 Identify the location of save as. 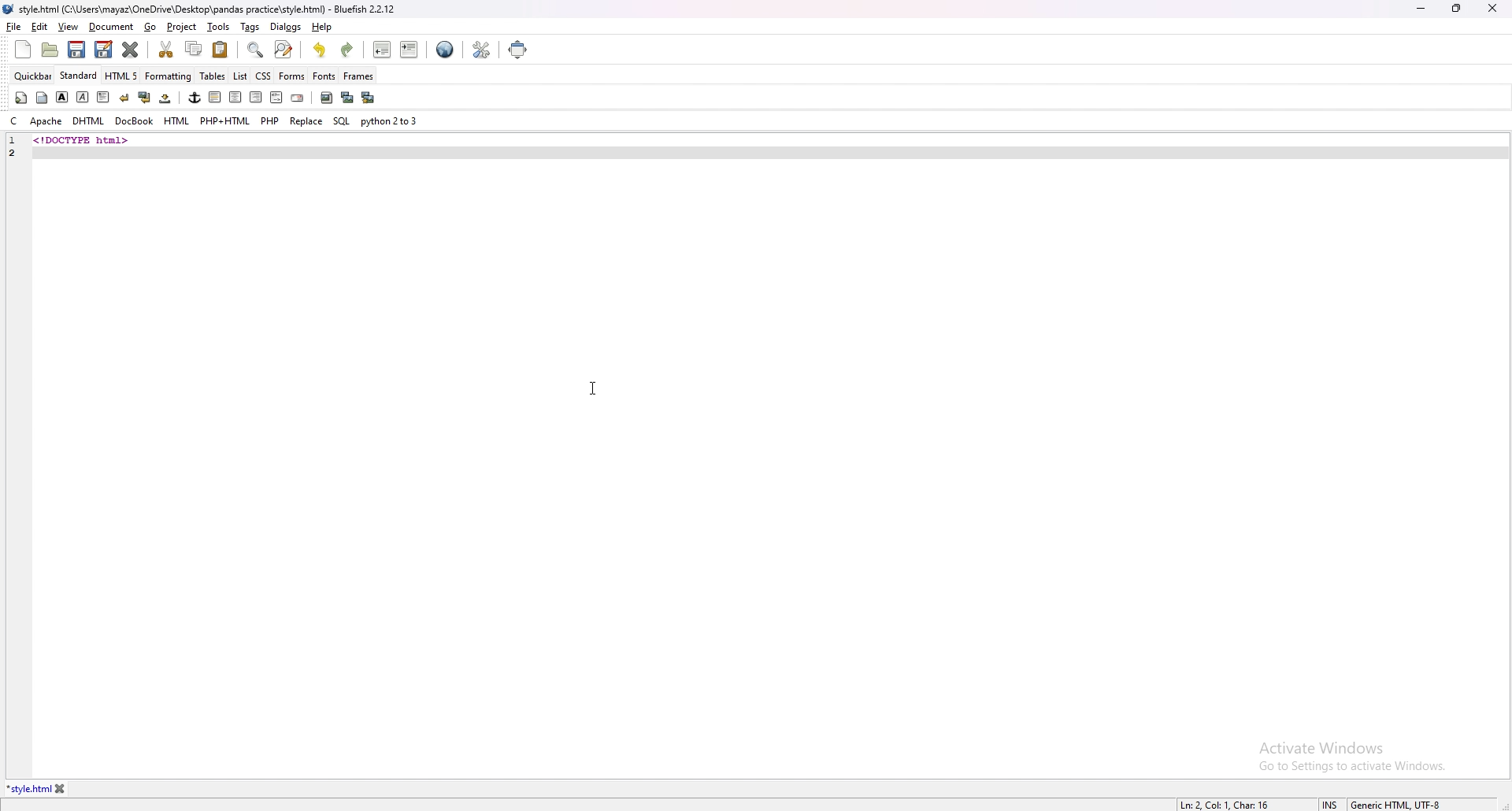
(103, 50).